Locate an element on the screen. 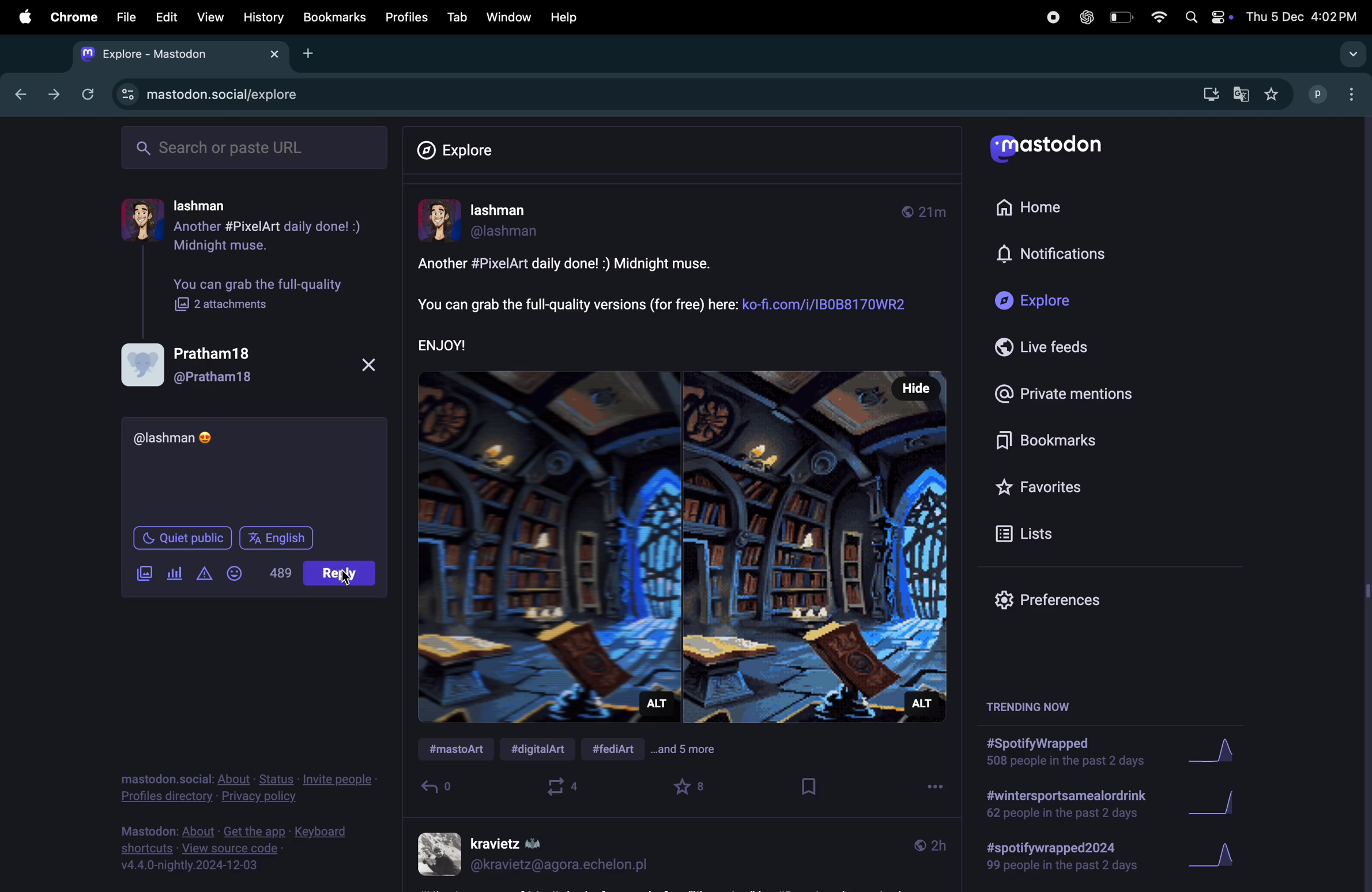  options is located at coordinates (929, 789).